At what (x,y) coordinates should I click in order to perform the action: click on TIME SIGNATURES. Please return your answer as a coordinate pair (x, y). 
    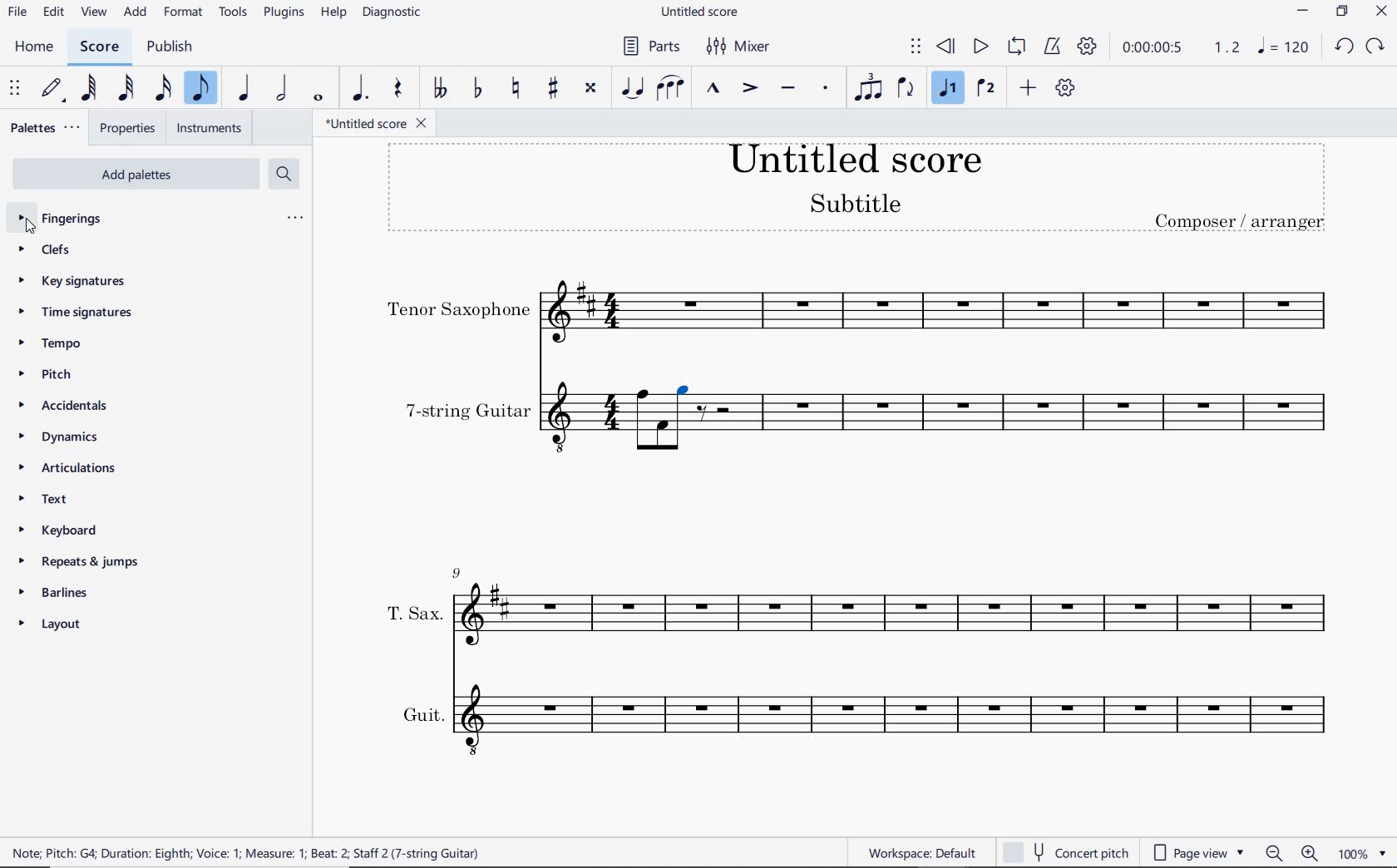
    Looking at the image, I should click on (84, 313).